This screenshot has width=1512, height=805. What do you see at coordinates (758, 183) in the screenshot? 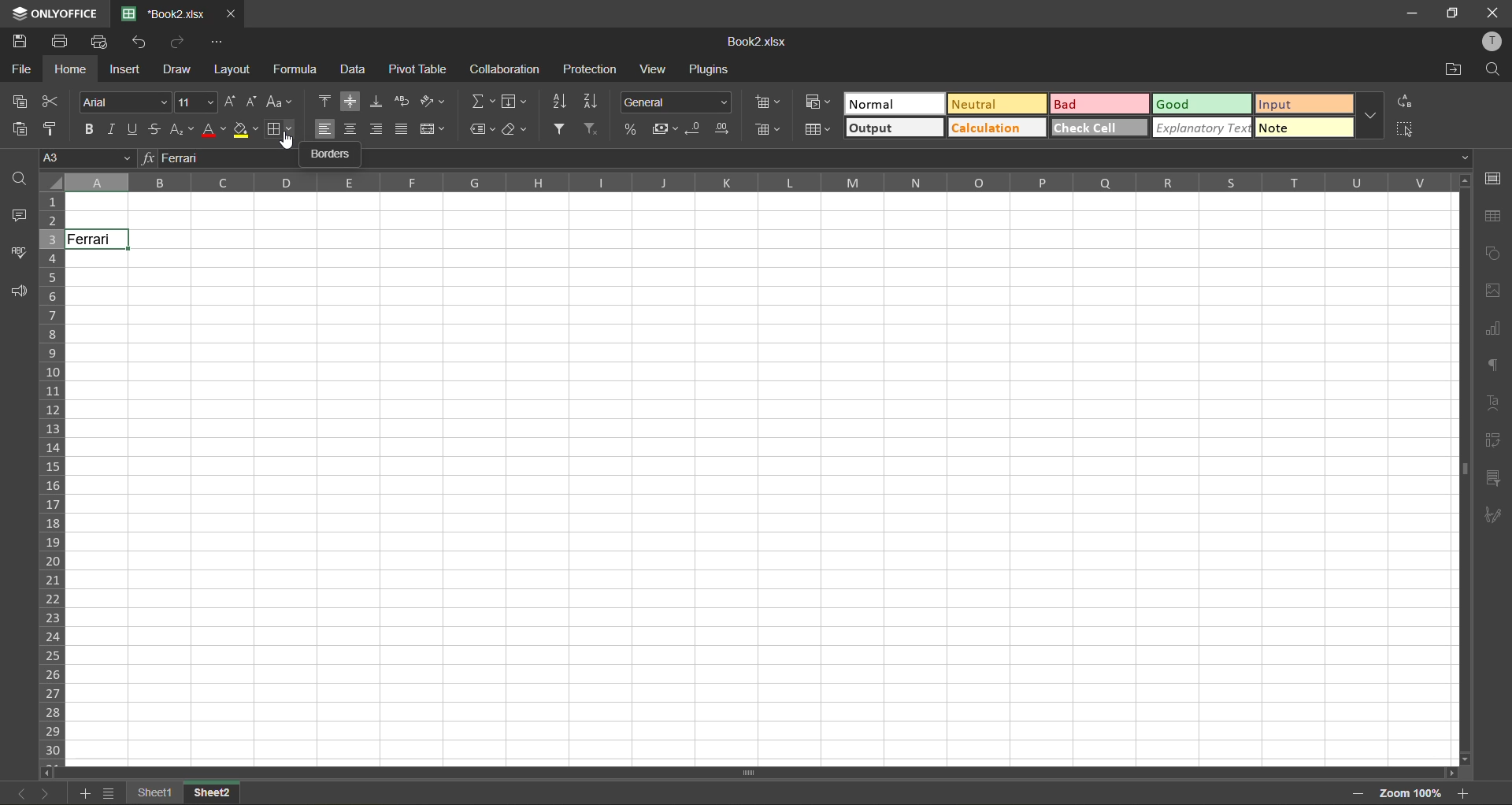
I see `column names` at bounding box center [758, 183].